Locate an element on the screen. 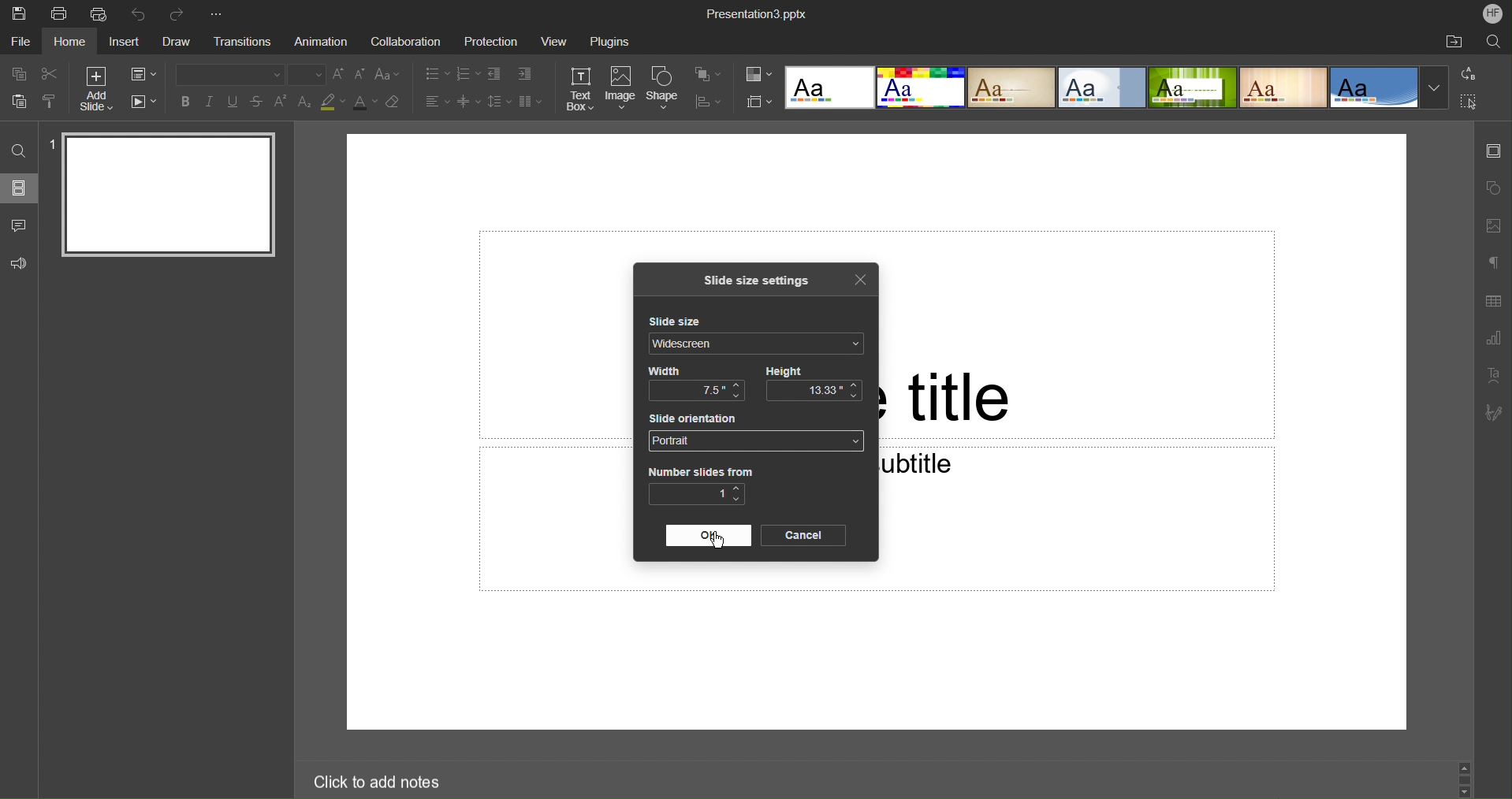  Close is located at coordinates (859, 280).